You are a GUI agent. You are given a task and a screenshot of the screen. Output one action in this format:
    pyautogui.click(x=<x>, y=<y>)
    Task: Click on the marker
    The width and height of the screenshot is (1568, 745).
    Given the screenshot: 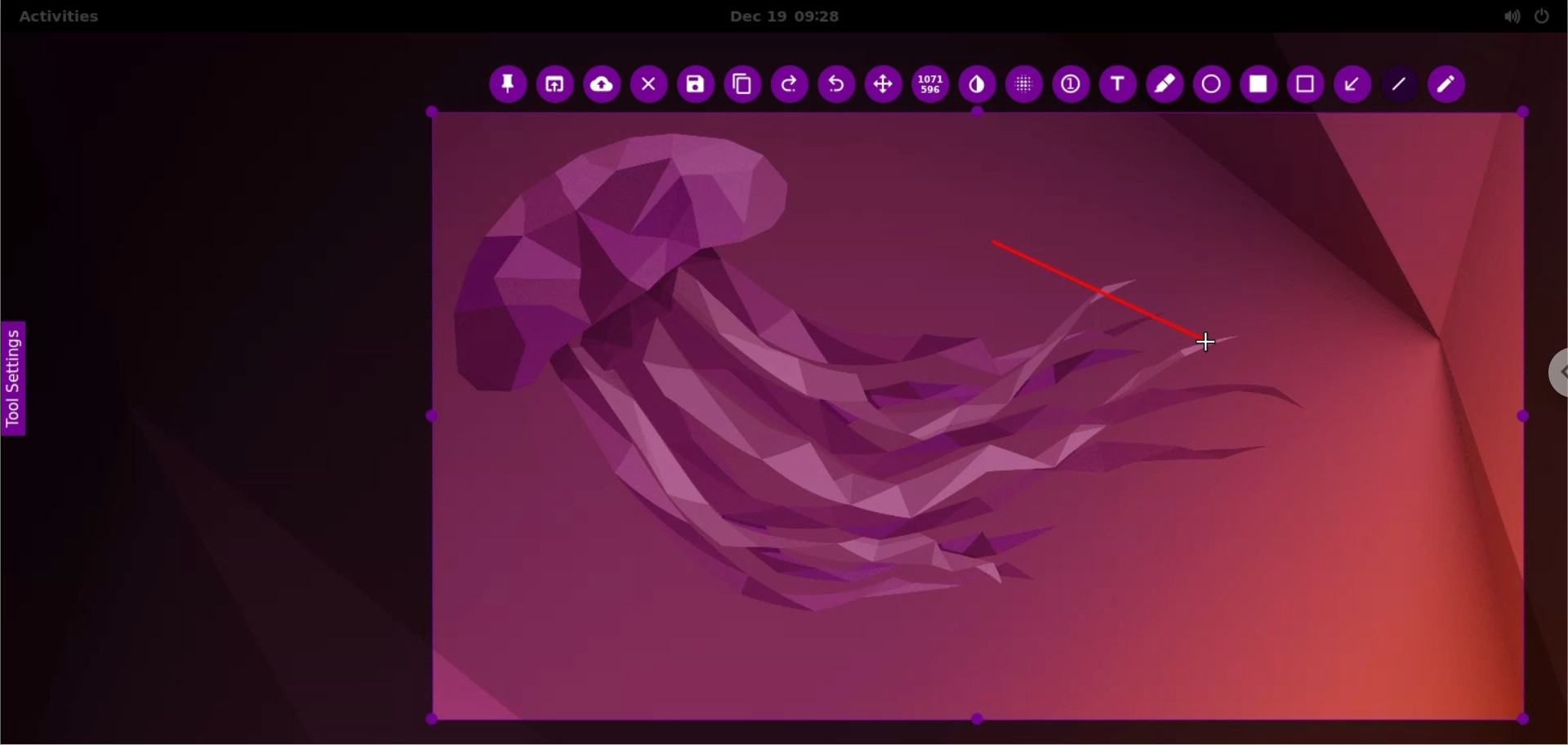 What is the action you would take?
    pyautogui.click(x=1164, y=85)
    